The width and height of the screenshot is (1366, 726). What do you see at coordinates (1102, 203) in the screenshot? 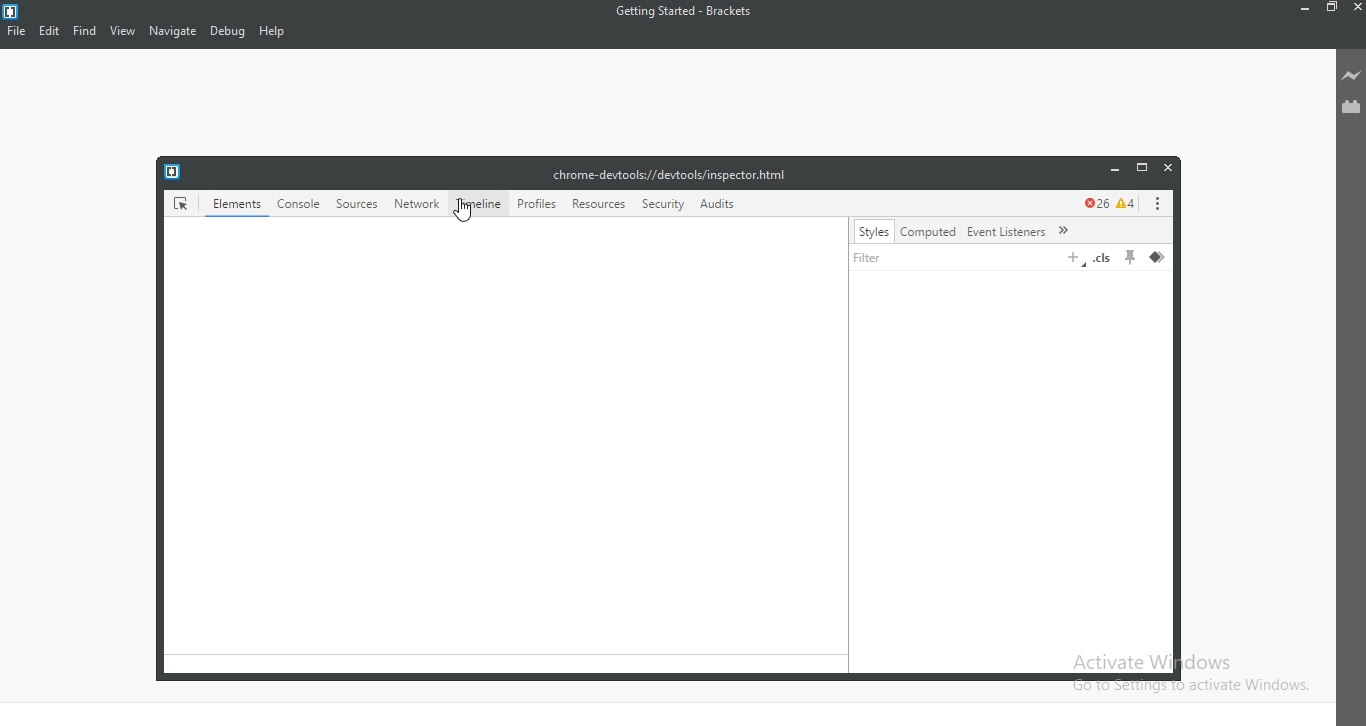
I see `error and caution` at bounding box center [1102, 203].